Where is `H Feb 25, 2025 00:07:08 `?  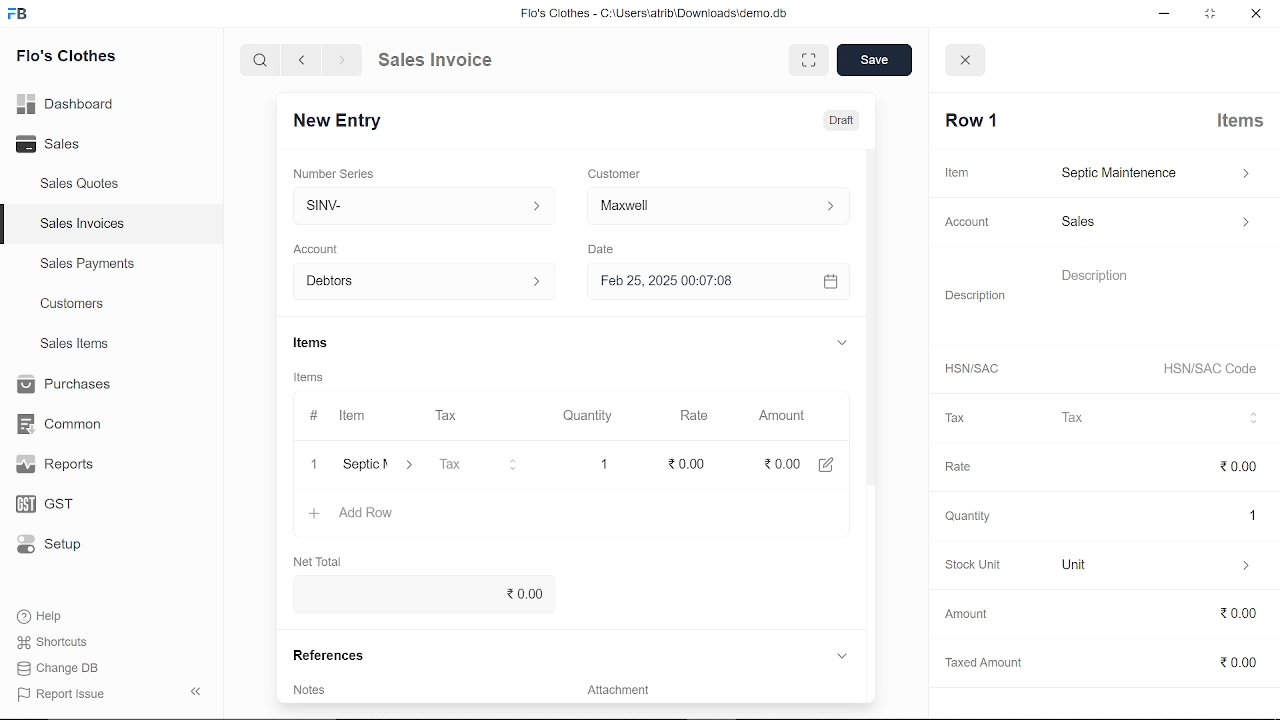
H Feb 25, 2025 00:07:08  is located at coordinates (690, 280).